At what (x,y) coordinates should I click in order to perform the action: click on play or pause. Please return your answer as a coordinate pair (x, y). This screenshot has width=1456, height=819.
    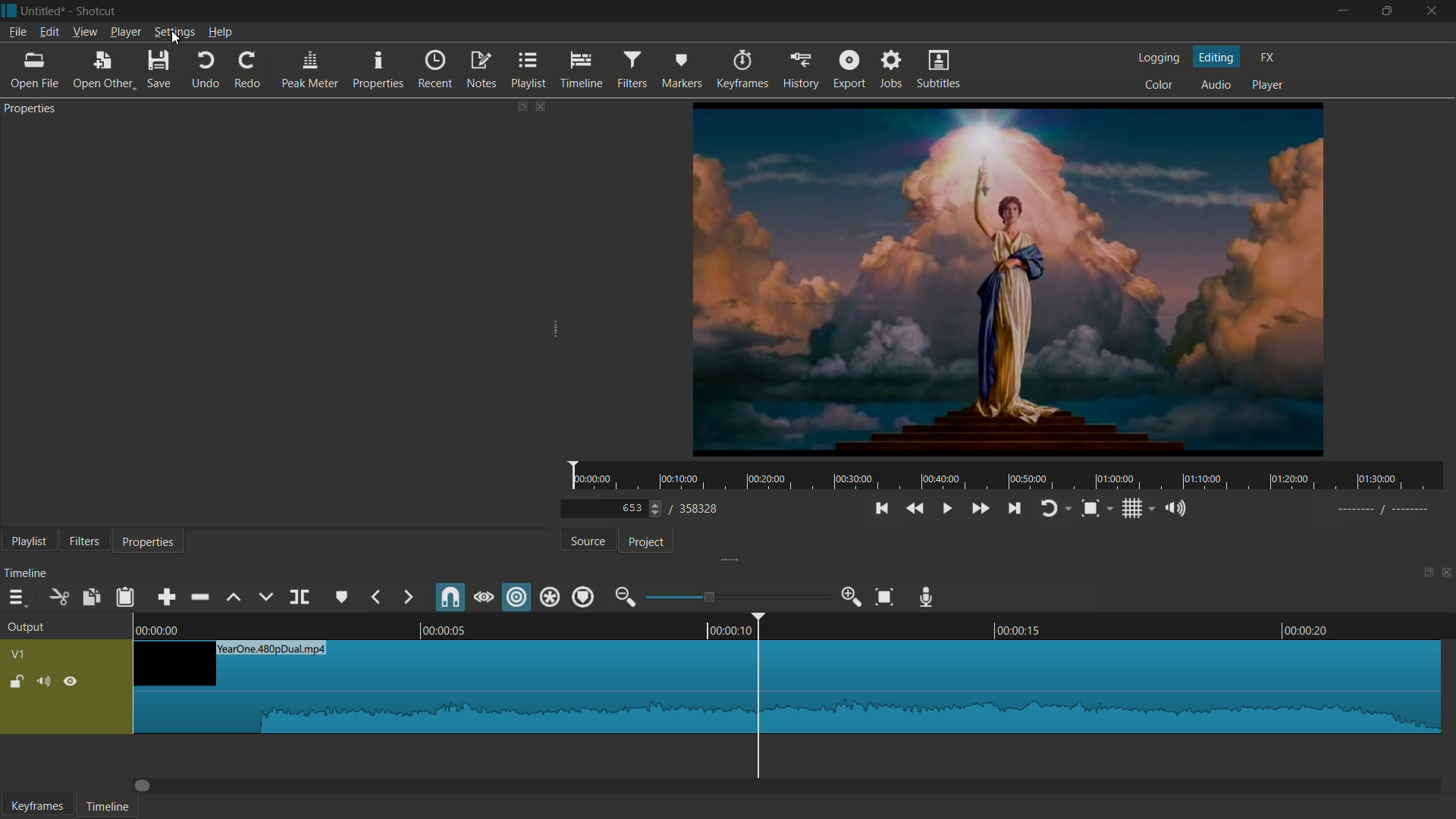
    Looking at the image, I should click on (946, 508).